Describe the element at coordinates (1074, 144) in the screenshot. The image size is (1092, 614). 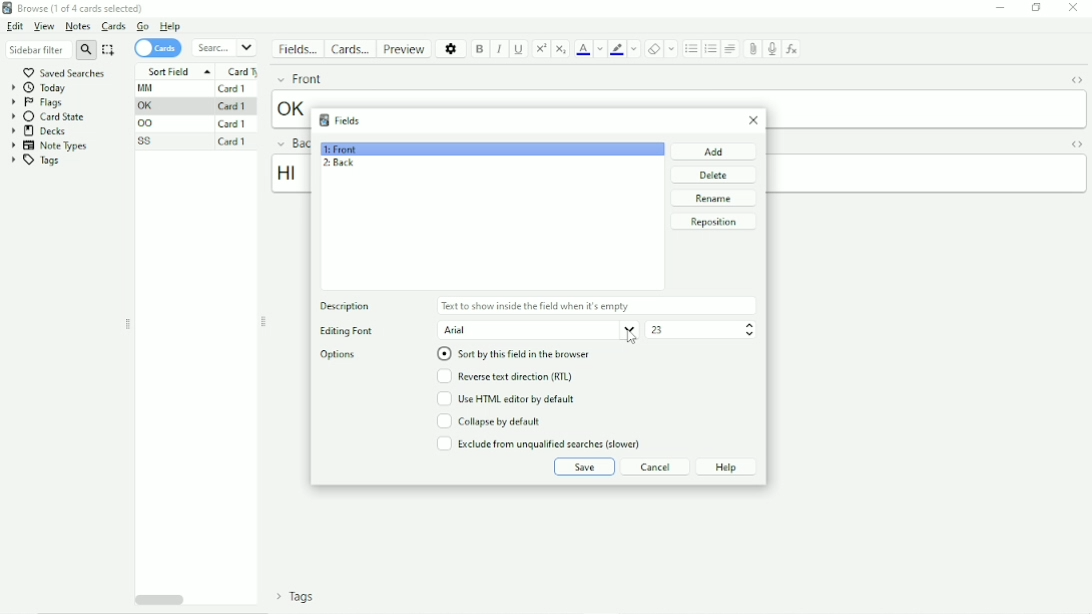
I see `Toggle HTML Editor` at that location.